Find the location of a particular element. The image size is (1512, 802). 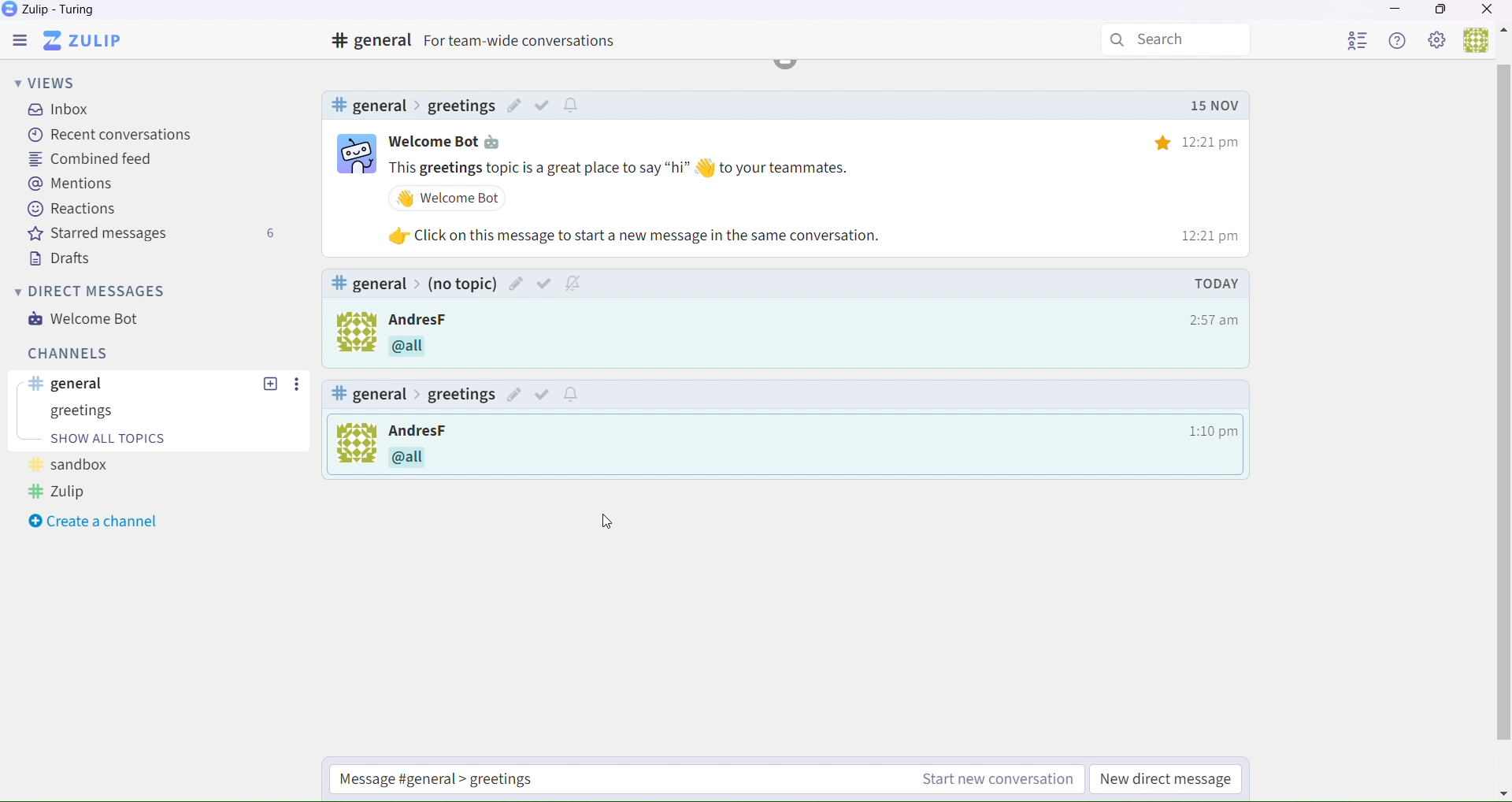

Close is located at coordinates (1488, 10).